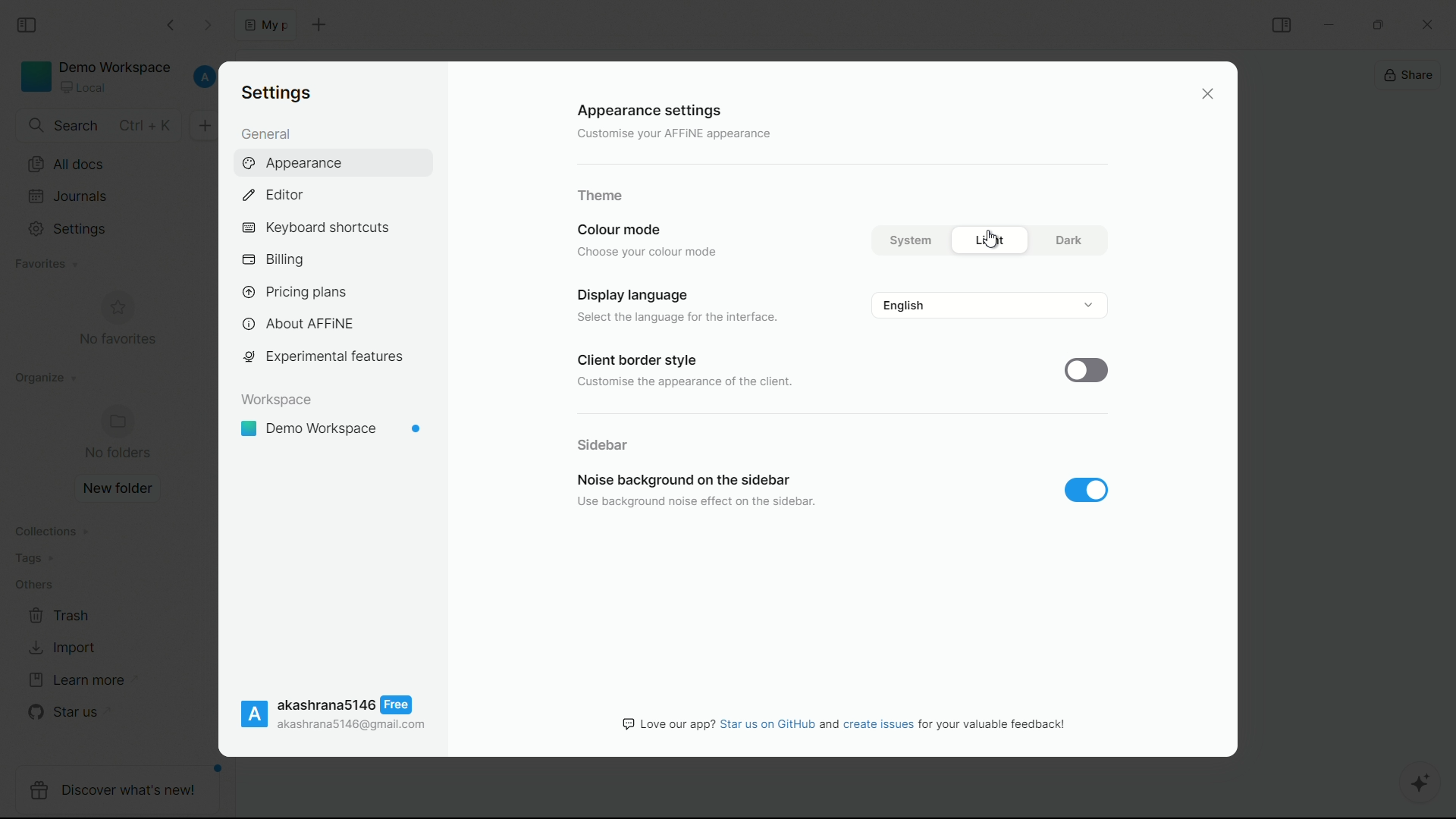  Describe the element at coordinates (692, 502) in the screenshot. I see `Use background noise effect on the sidebar.` at that location.